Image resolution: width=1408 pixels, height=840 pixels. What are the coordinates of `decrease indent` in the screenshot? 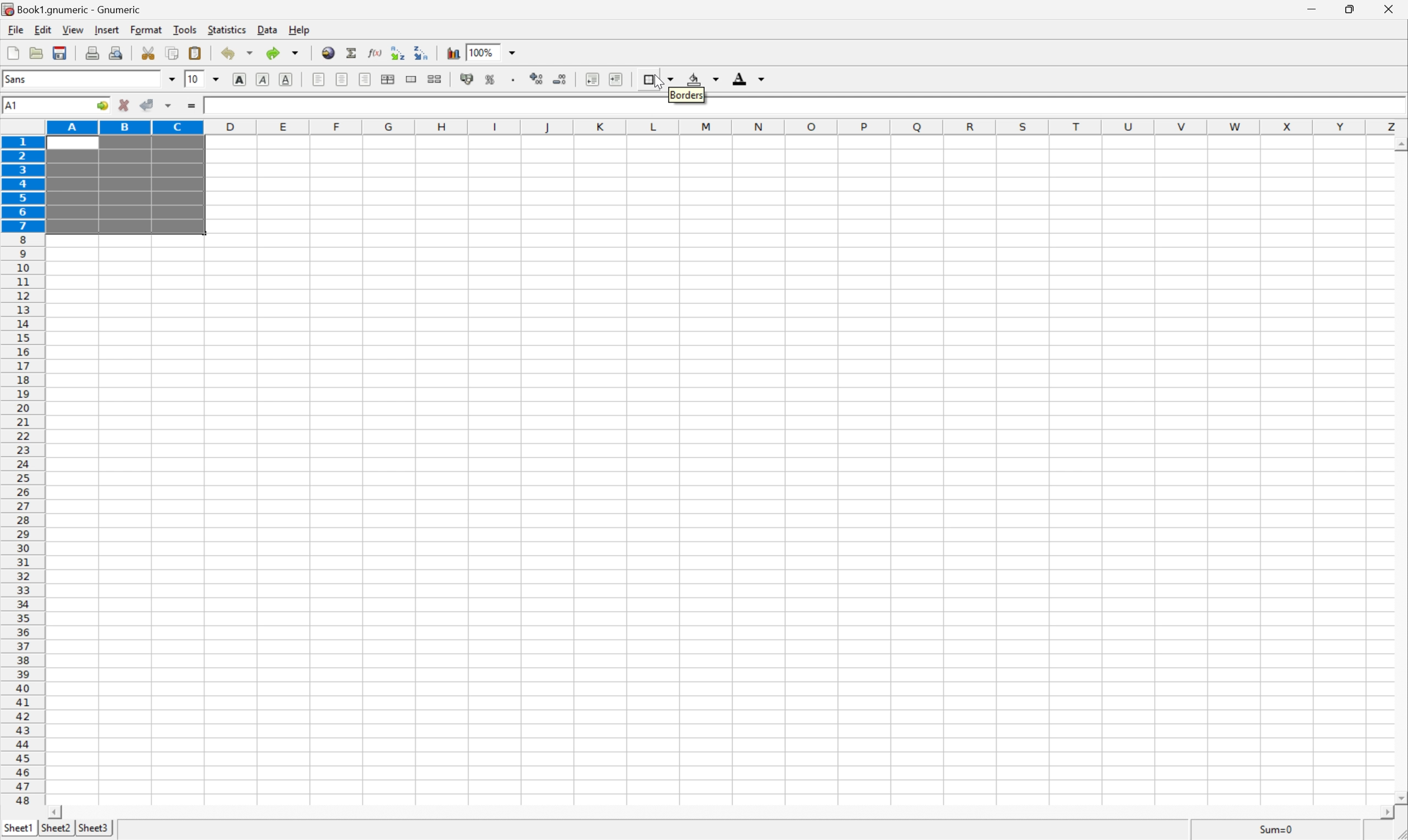 It's located at (592, 79).